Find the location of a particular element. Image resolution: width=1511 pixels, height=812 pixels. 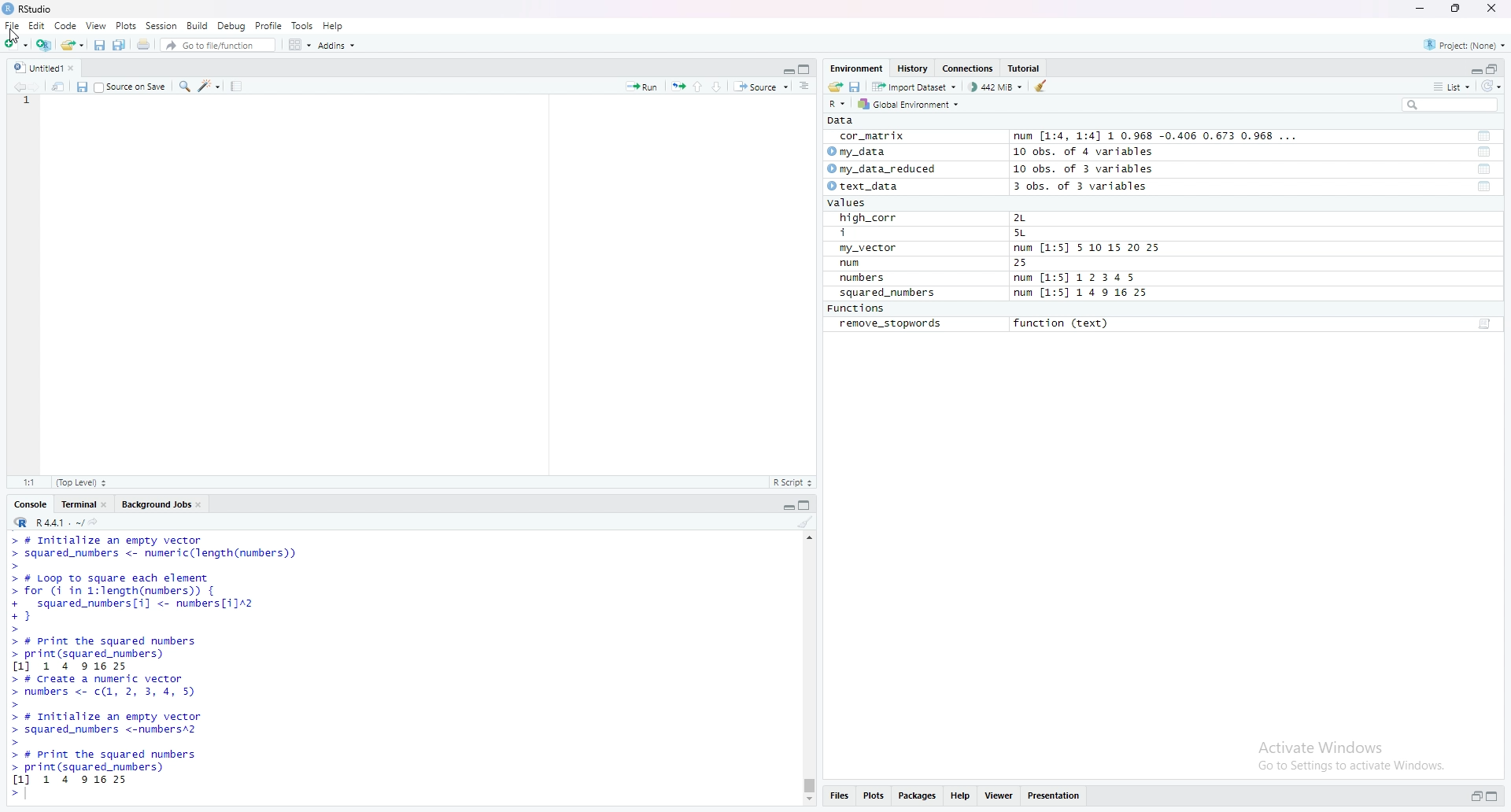

Plots is located at coordinates (125, 25).